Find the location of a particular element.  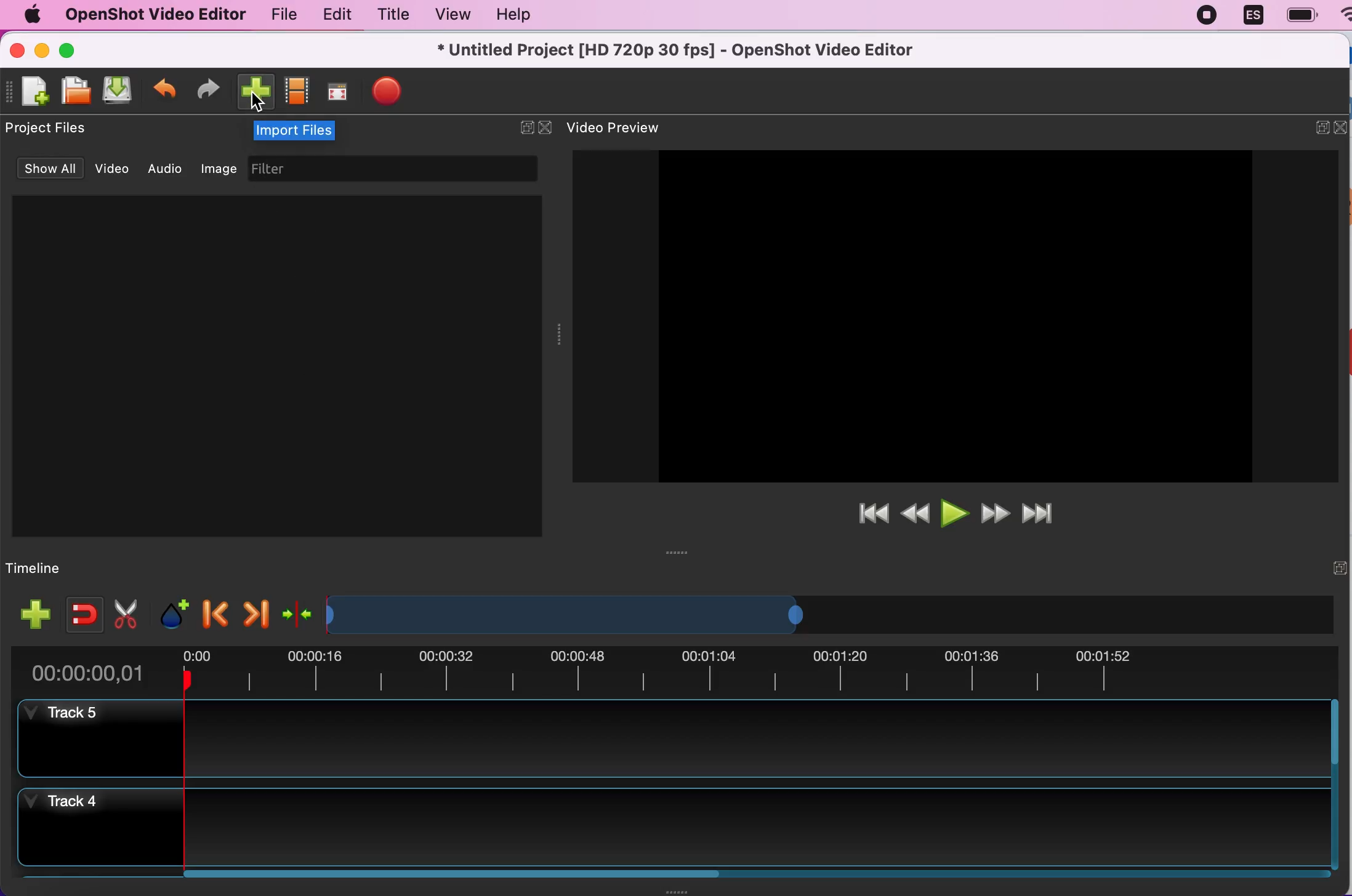

import files is located at coordinates (257, 90).